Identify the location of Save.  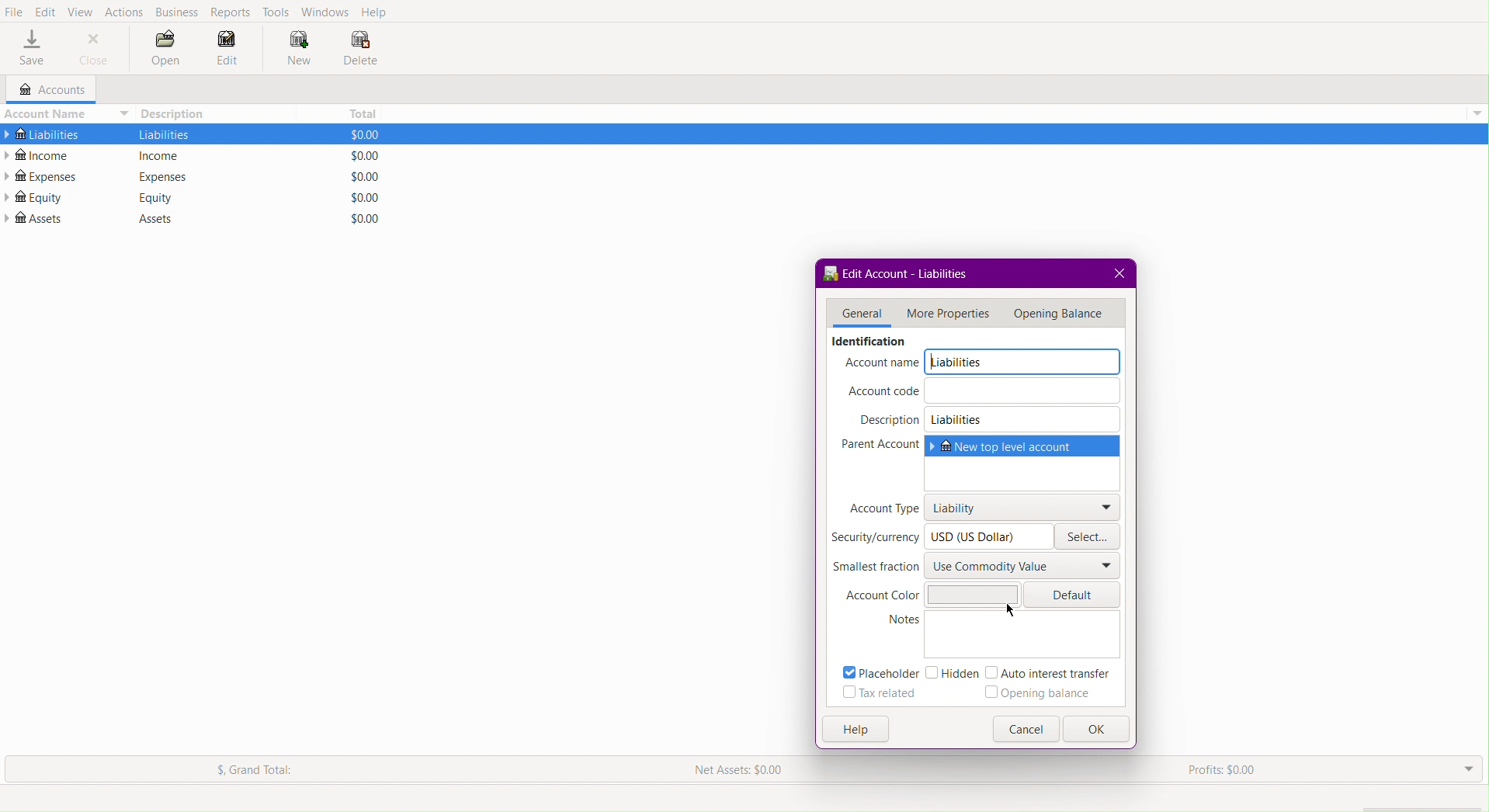
(32, 49).